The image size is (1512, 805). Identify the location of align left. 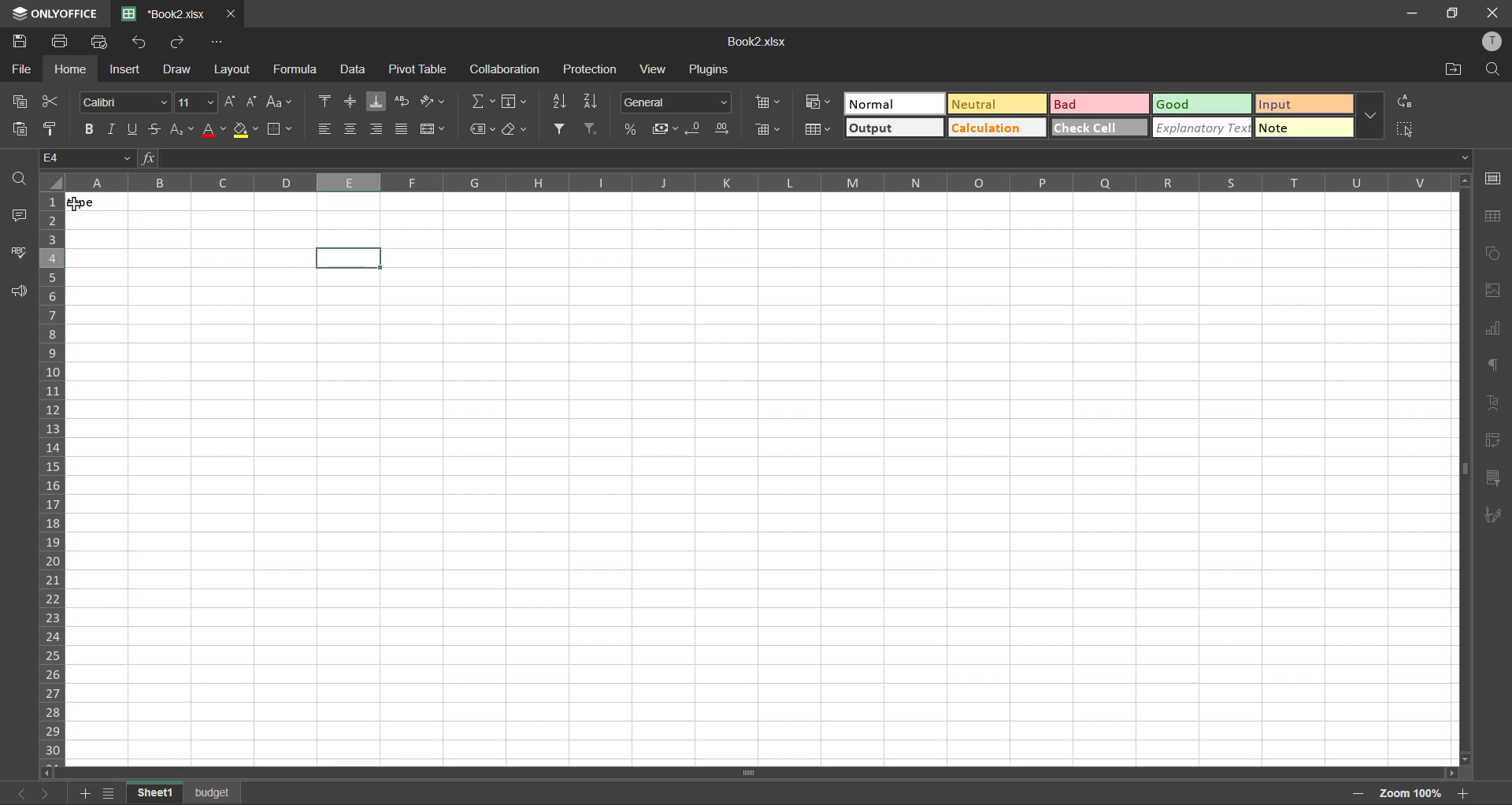
(325, 128).